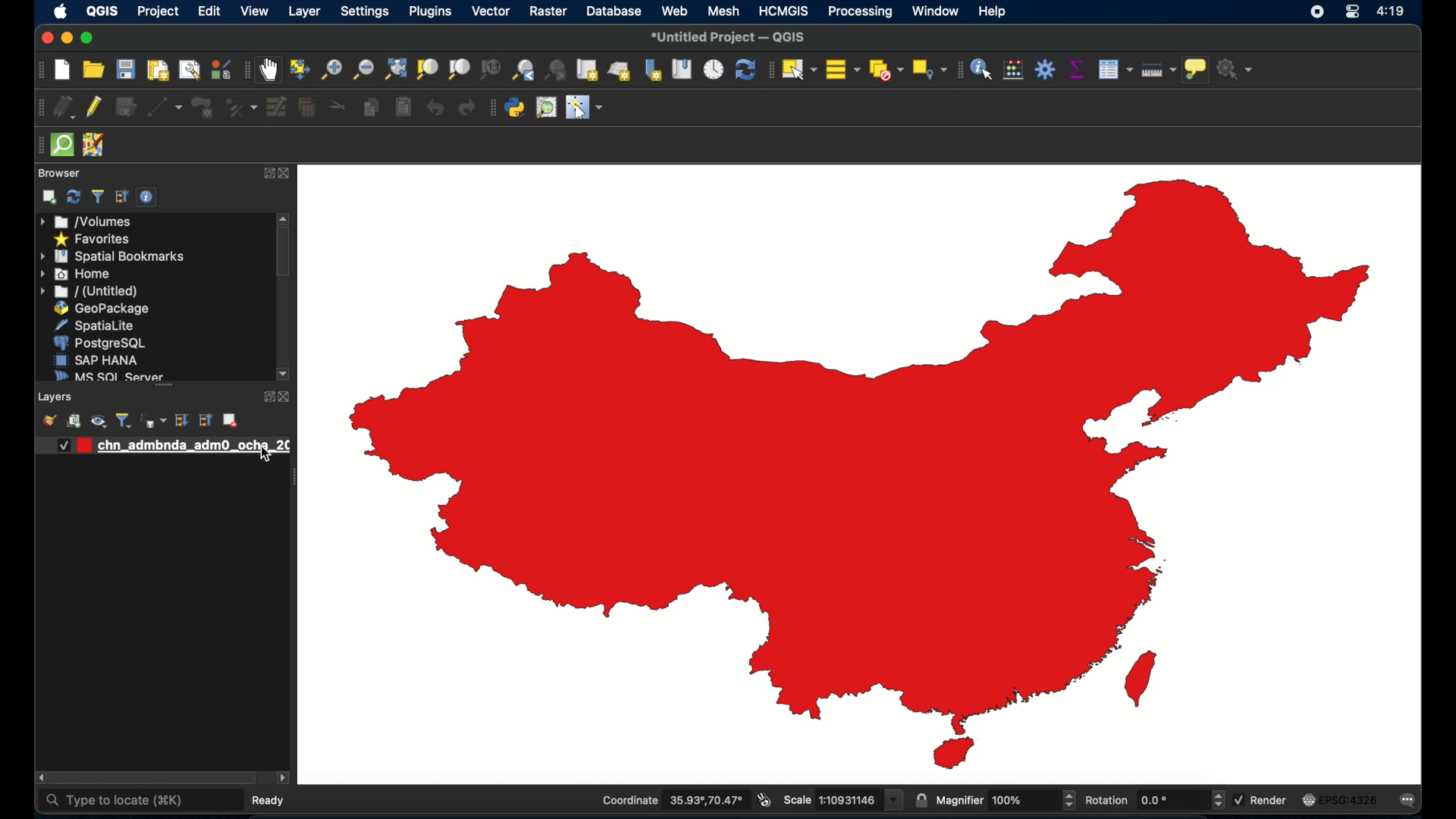 The image size is (1456, 819). I want to click on refresh, so click(74, 196).